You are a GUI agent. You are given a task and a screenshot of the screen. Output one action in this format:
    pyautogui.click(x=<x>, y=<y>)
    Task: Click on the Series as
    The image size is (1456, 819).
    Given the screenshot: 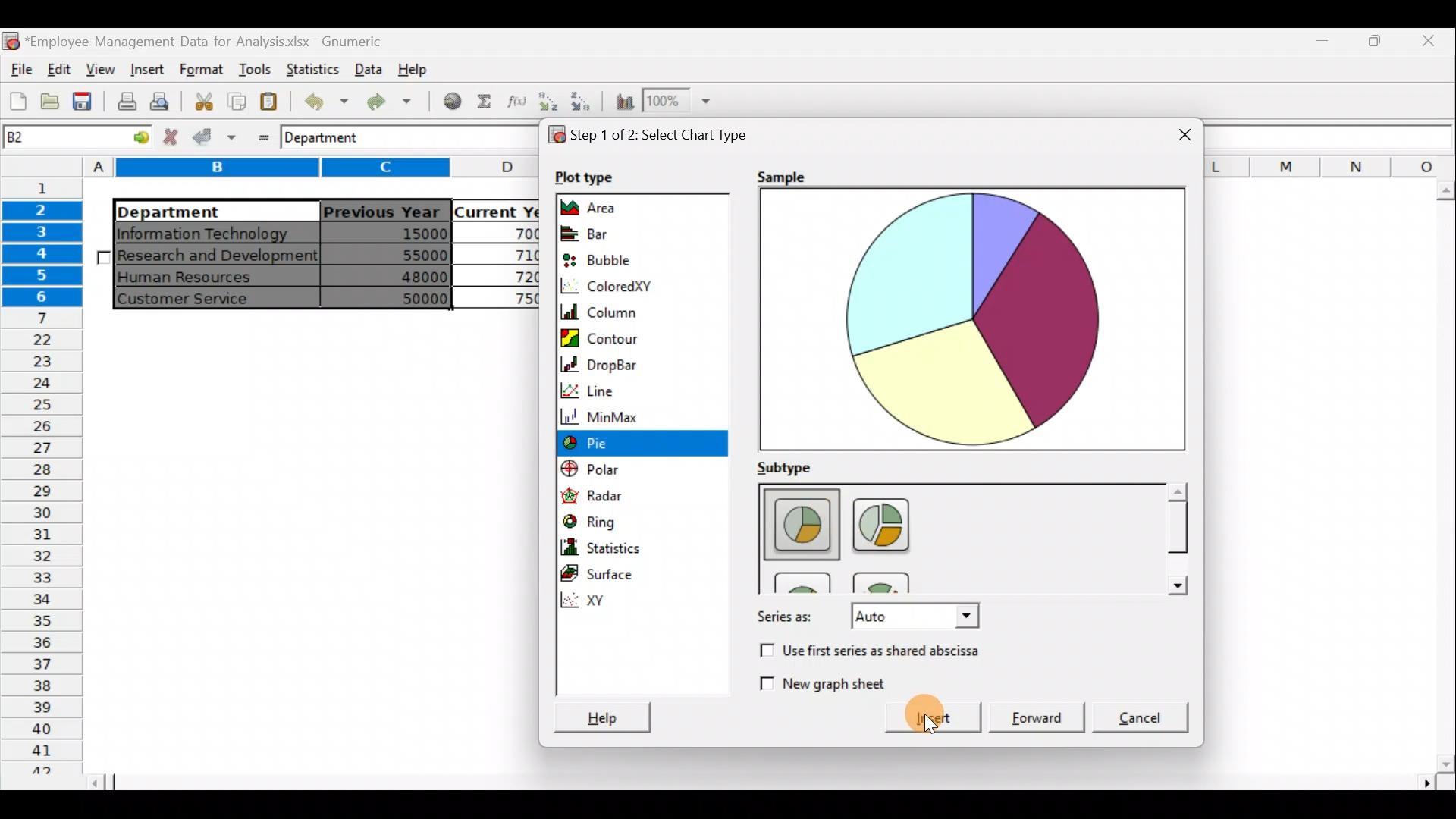 What is the action you would take?
    pyautogui.click(x=865, y=618)
    